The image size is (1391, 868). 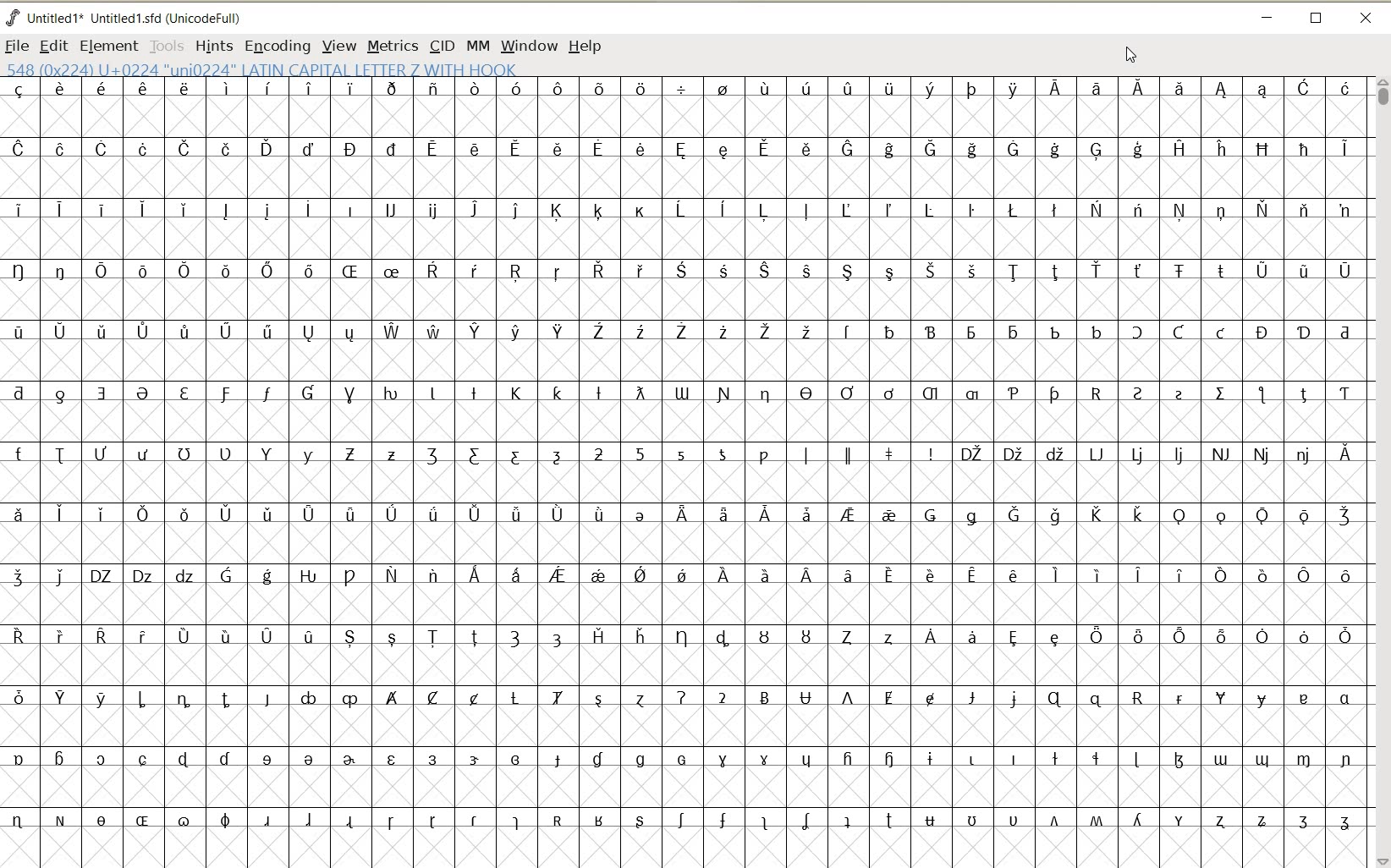 What do you see at coordinates (13, 17) in the screenshot?
I see `FONTFORGE` at bounding box center [13, 17].